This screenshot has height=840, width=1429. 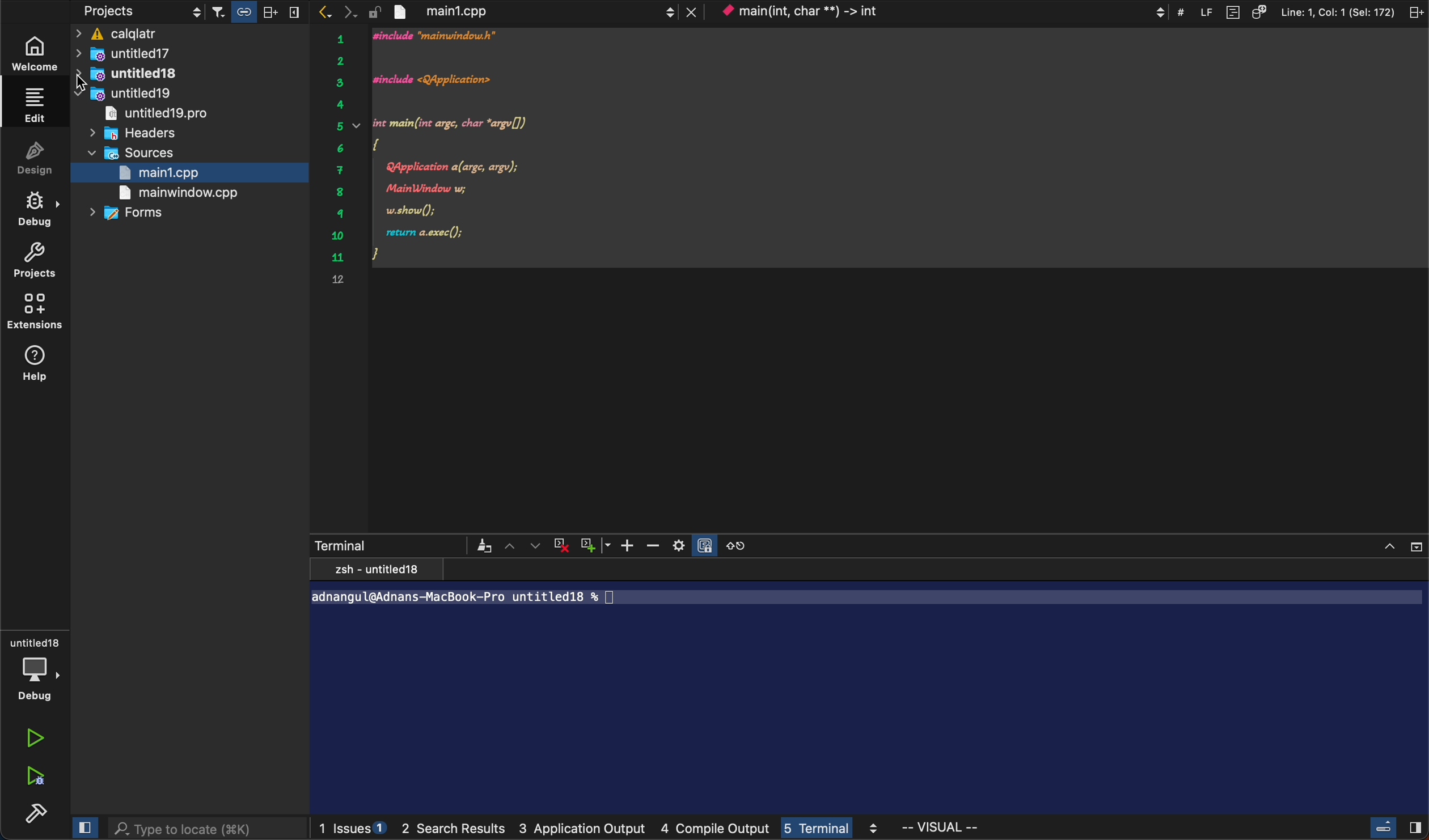 I want to click on forms, so click(x=126, y=212).